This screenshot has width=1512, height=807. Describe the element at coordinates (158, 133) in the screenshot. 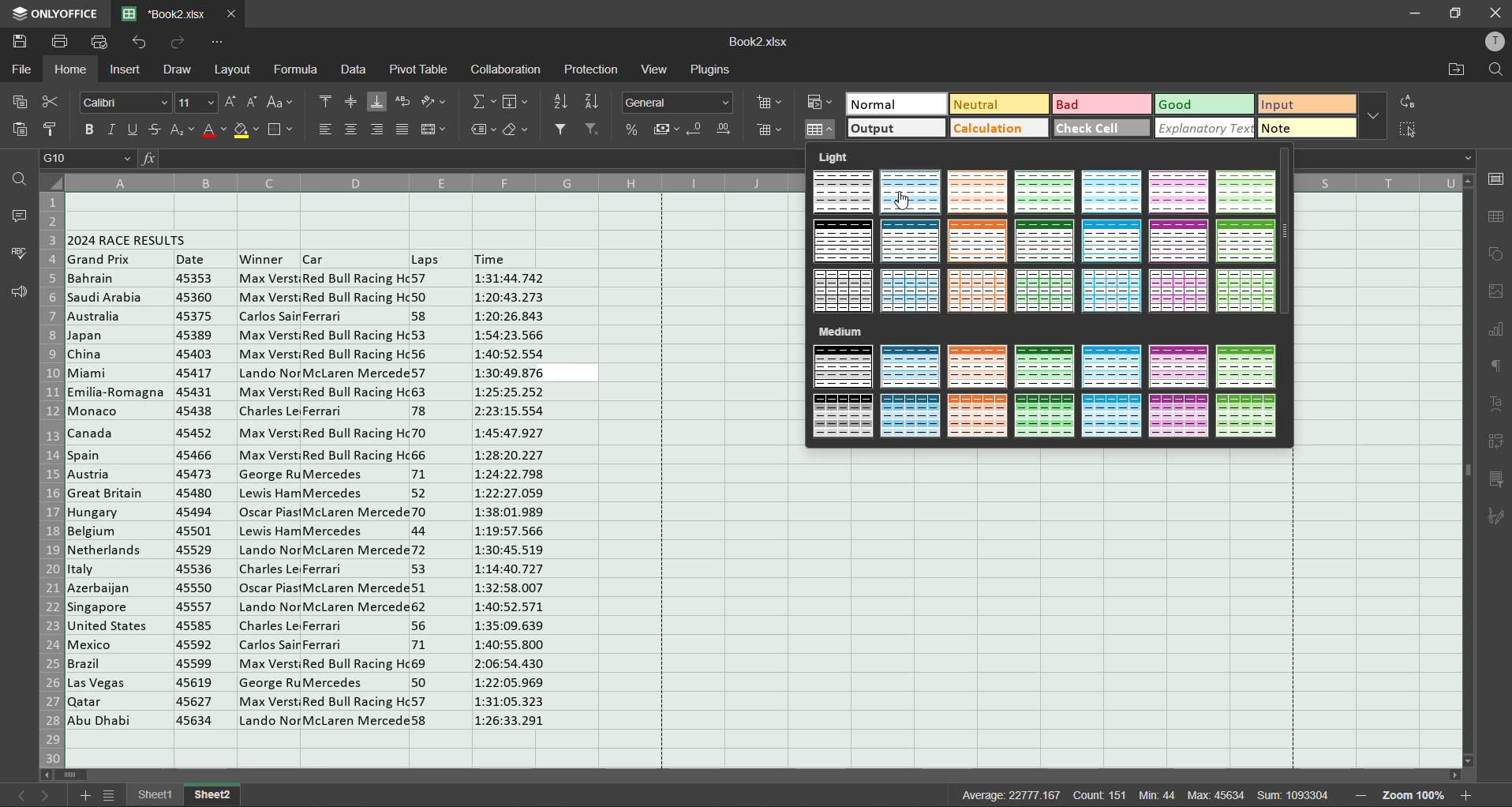

I see `strikethrough` at that location.